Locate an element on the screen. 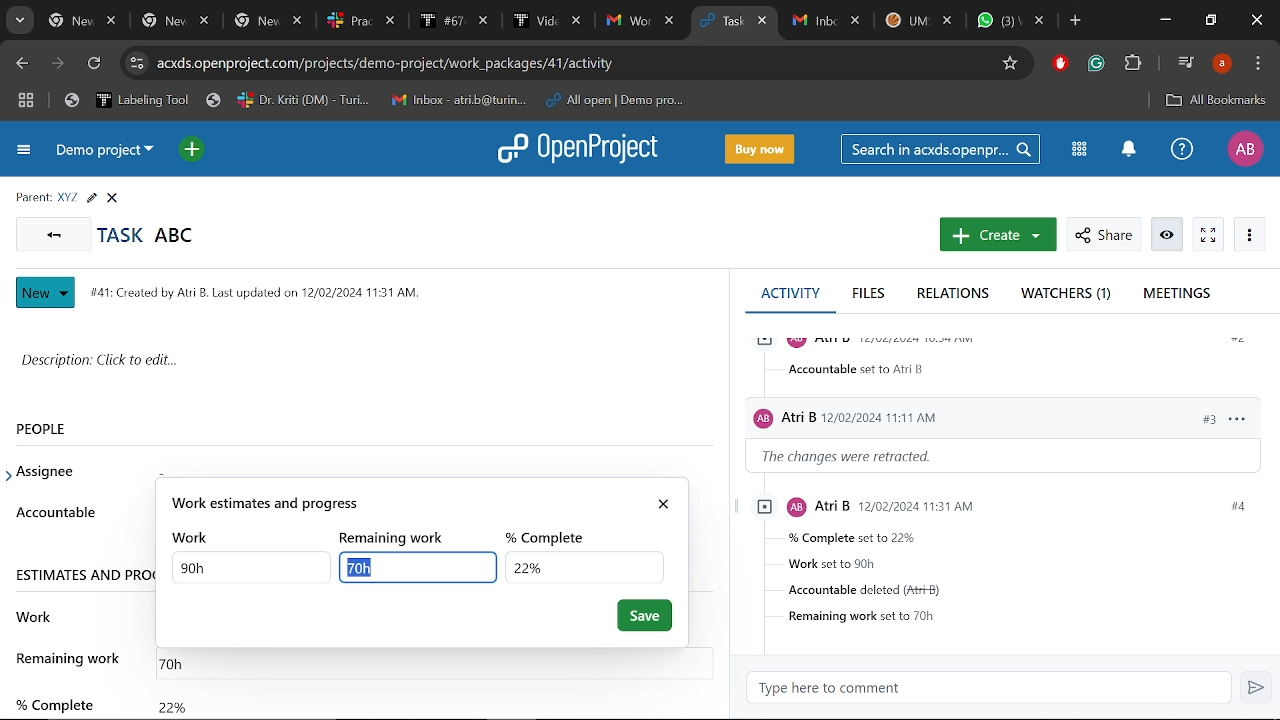 This screenshot has height=720, width=1280. Type here to comment is located at coordinates (995, 688).